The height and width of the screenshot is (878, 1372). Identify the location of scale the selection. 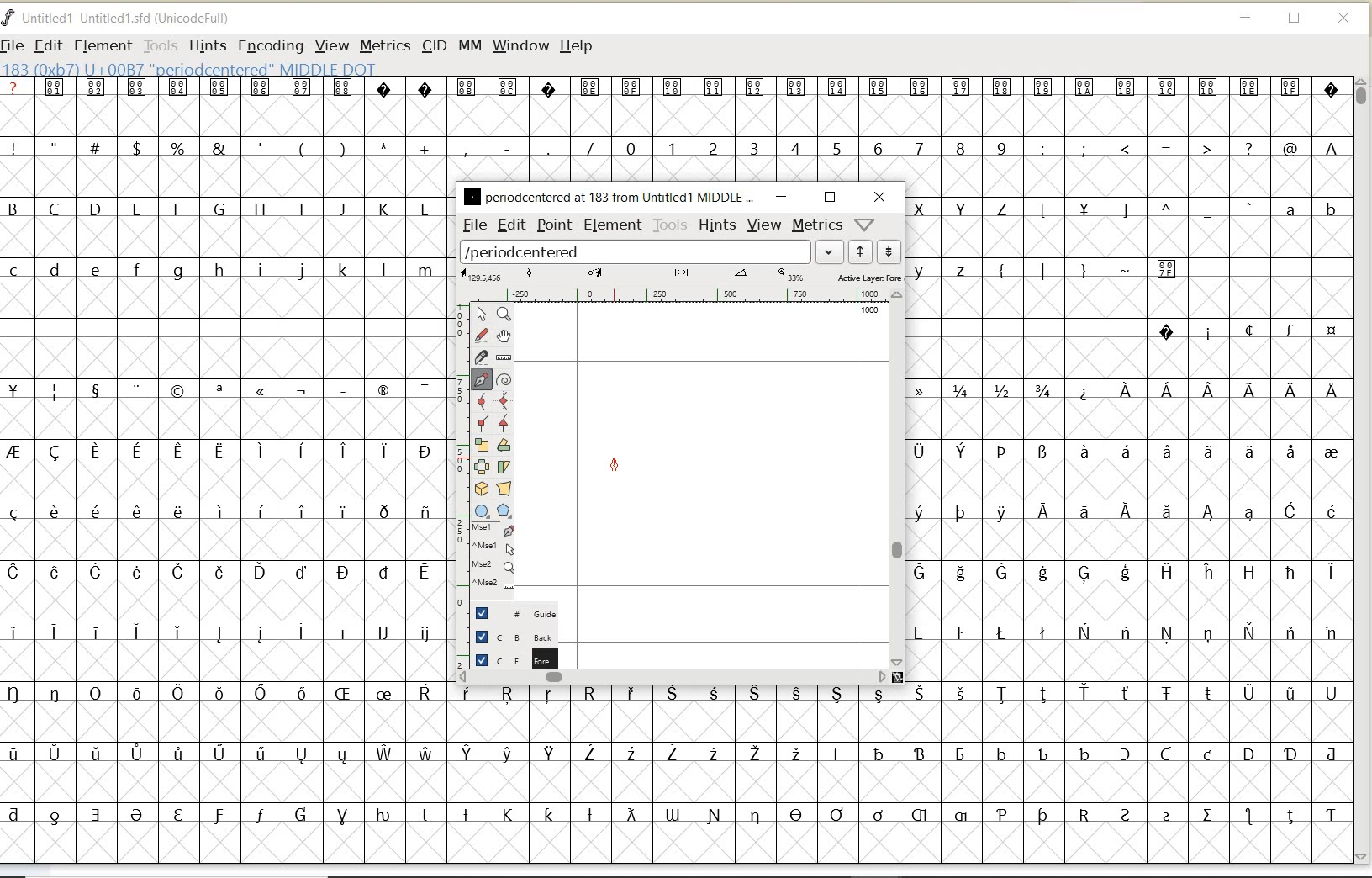
(480, 446).